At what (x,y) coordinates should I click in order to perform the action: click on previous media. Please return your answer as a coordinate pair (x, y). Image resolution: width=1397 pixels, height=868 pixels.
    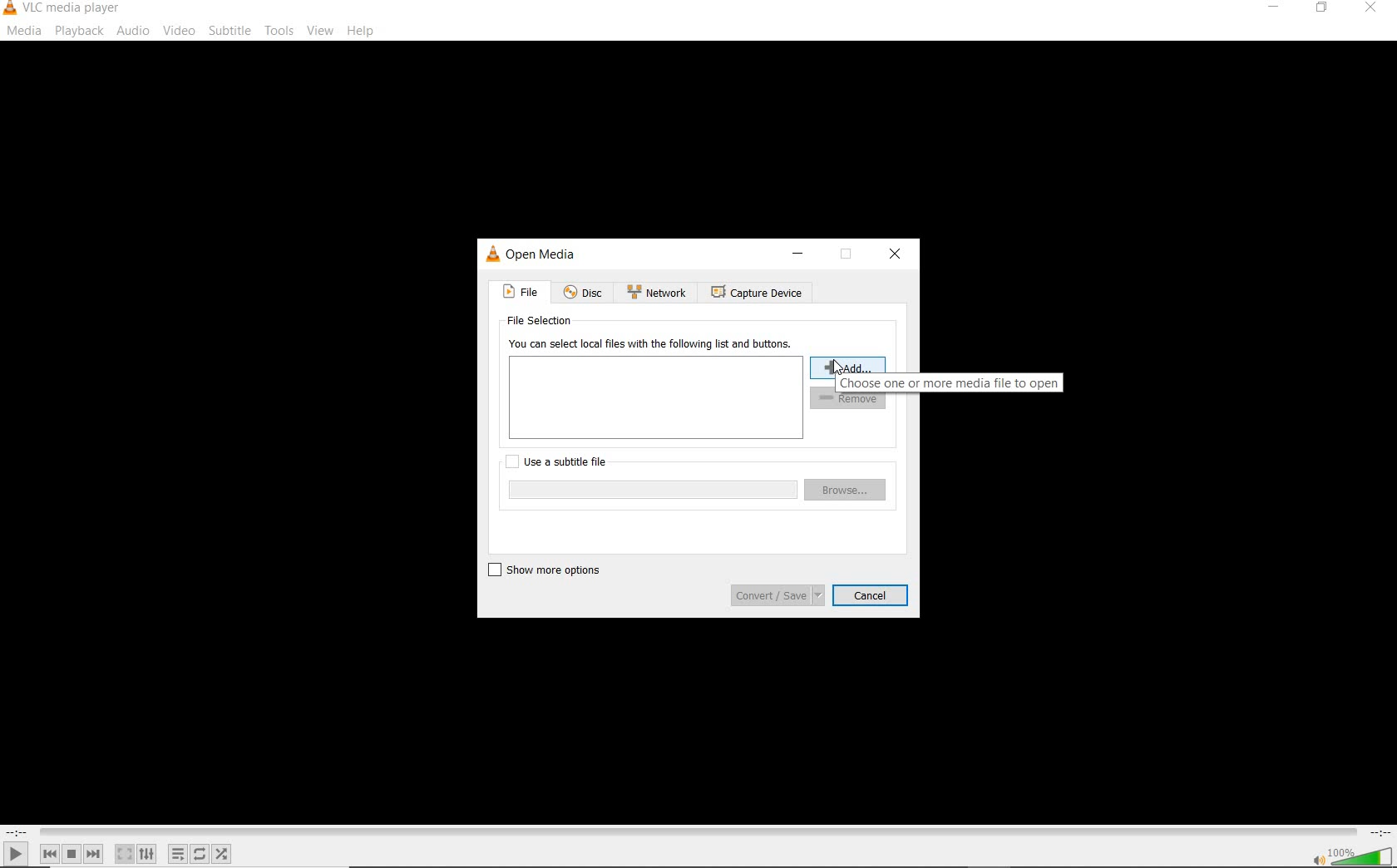
    Looking at the image, I should click on (49, 854).